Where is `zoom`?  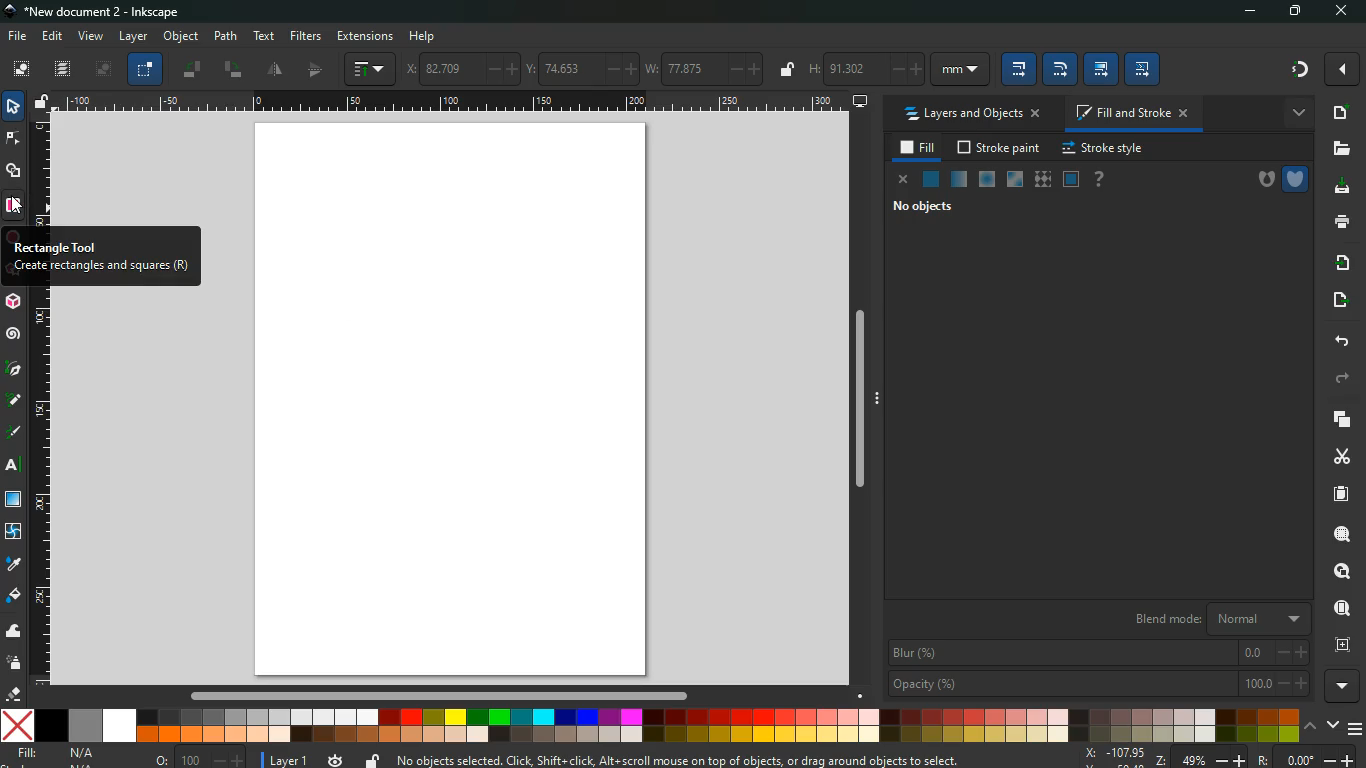 zoom is located at coordinates (1213, 757).